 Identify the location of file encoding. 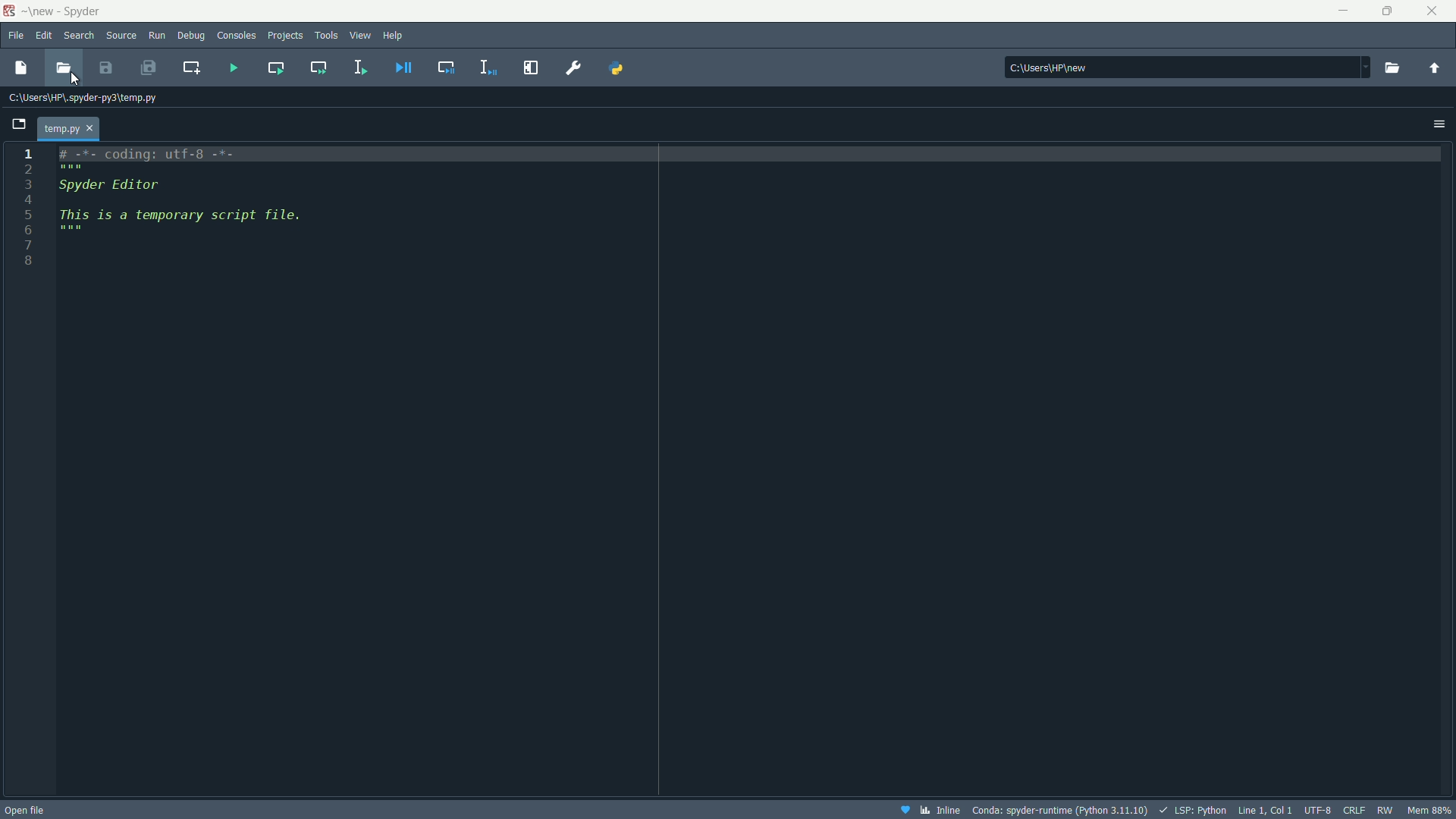
(1318, 810).